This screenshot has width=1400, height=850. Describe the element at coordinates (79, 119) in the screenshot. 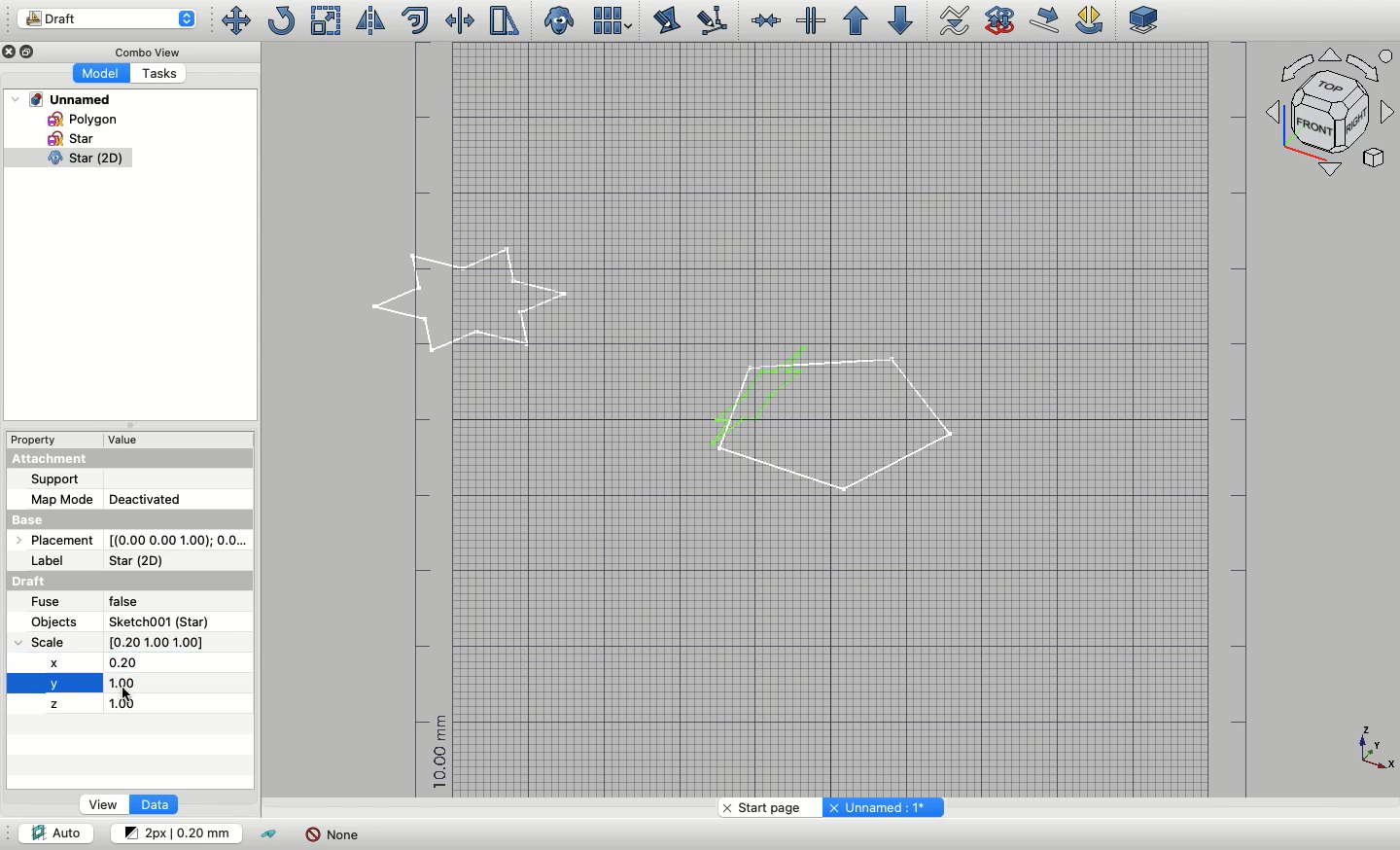

I see `Polygon` at that location.